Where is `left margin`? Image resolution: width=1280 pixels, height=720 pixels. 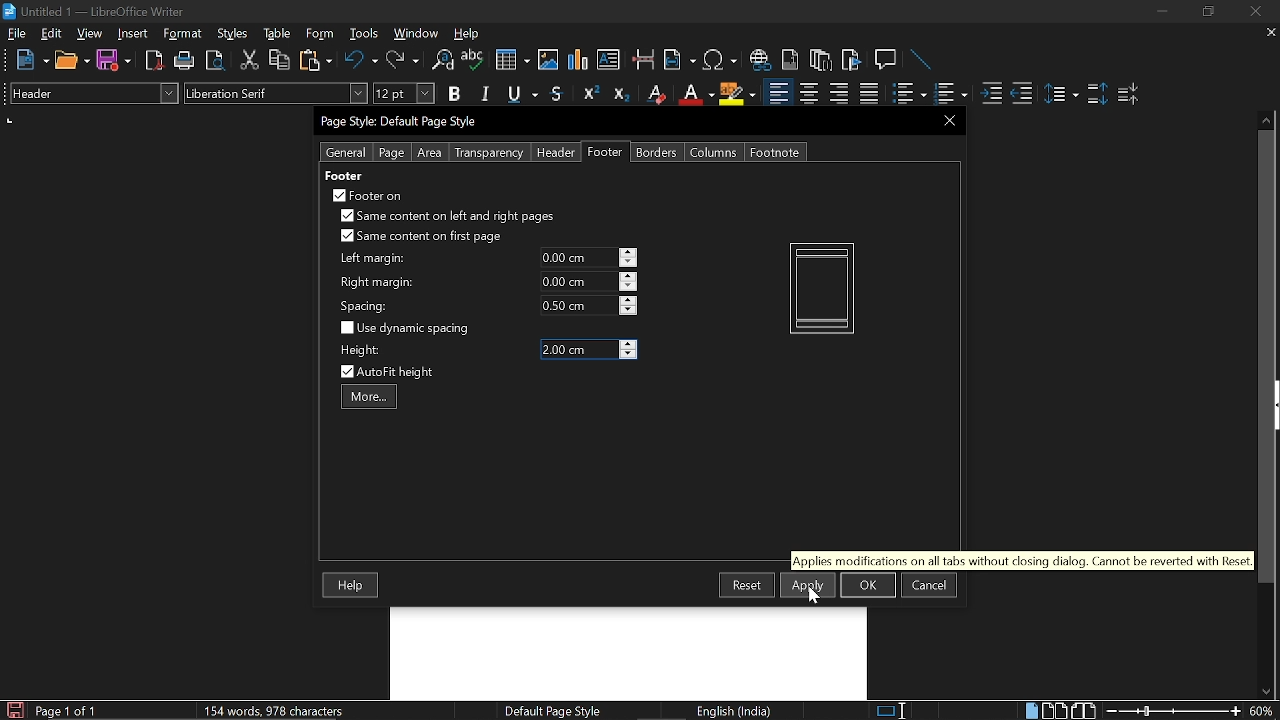
left margin is located at coordinates (370, 259).